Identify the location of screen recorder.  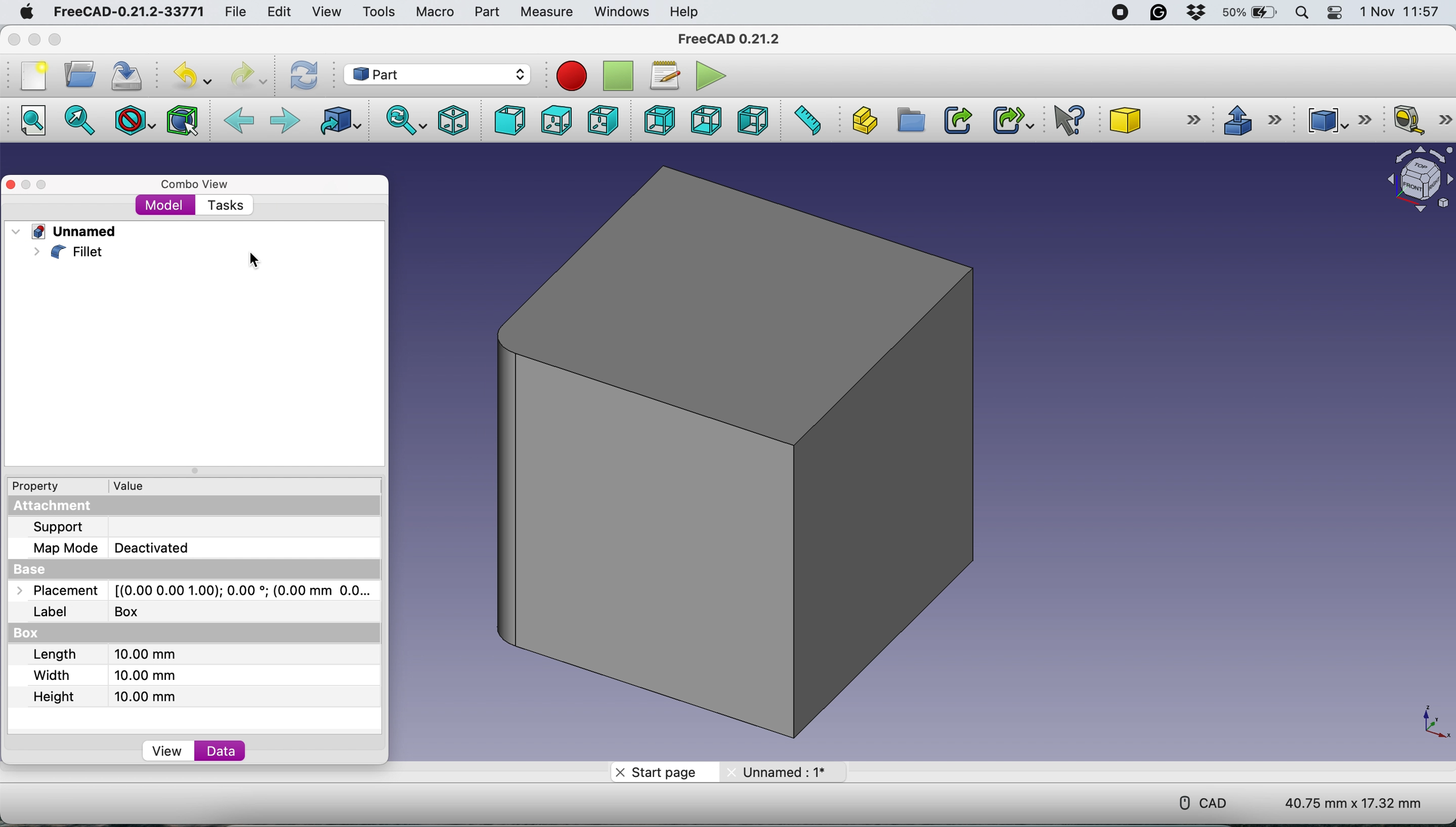
(1118, 13).